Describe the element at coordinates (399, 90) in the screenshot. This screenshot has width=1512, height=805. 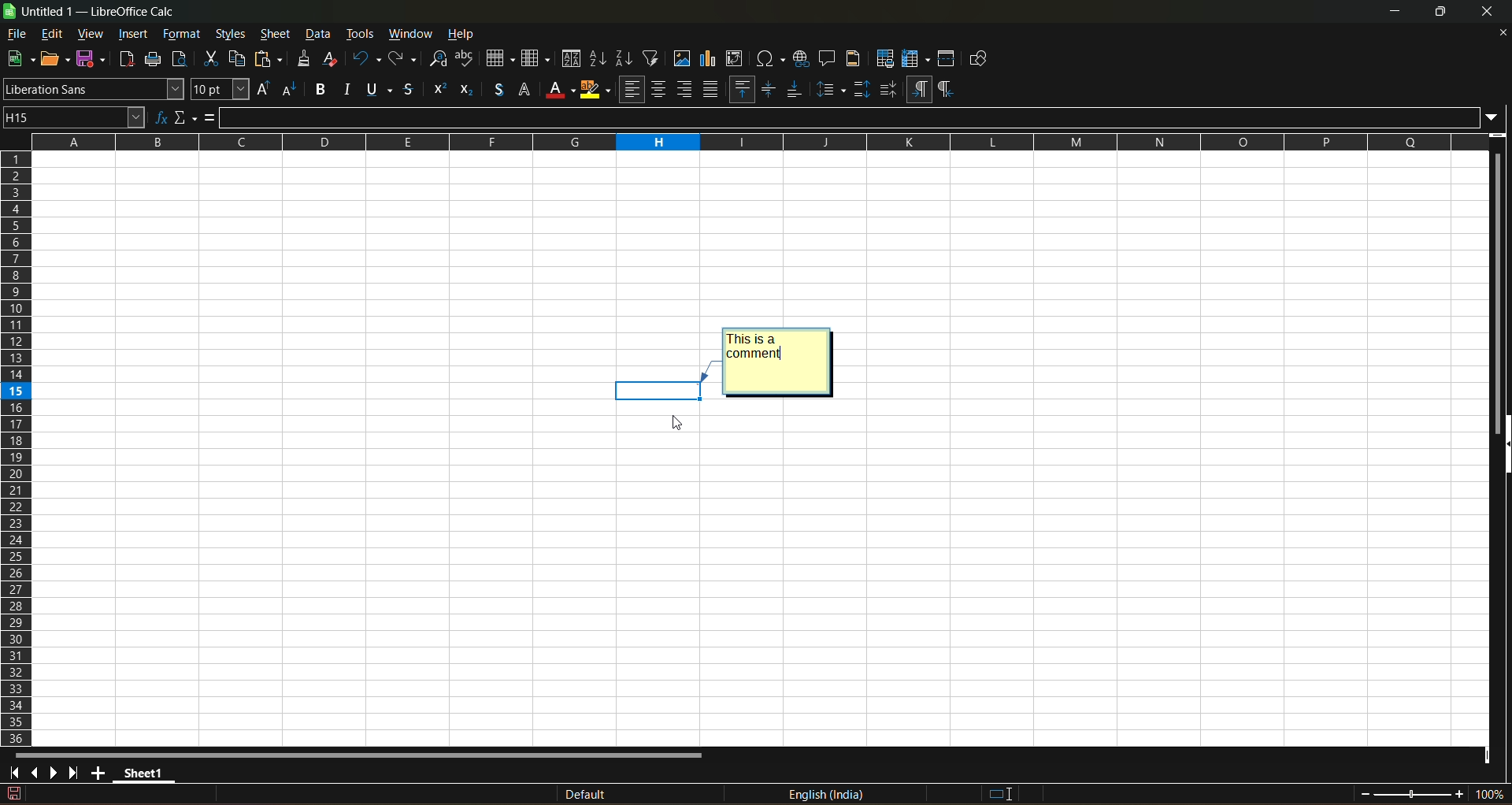
I see `background color` at that location.